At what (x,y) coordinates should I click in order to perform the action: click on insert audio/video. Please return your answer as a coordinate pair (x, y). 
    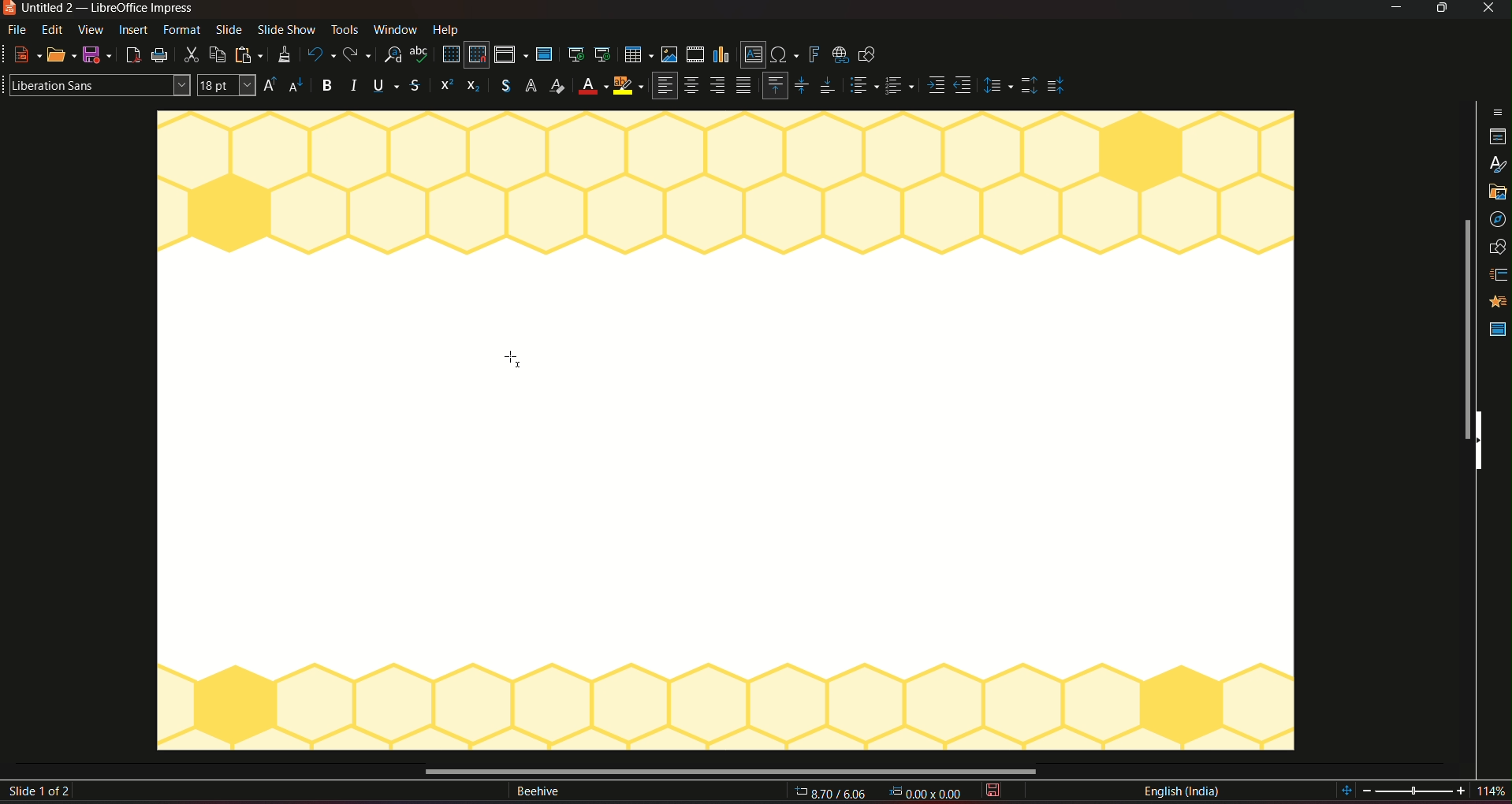
    Looking at the image, I should click on (695, 55).